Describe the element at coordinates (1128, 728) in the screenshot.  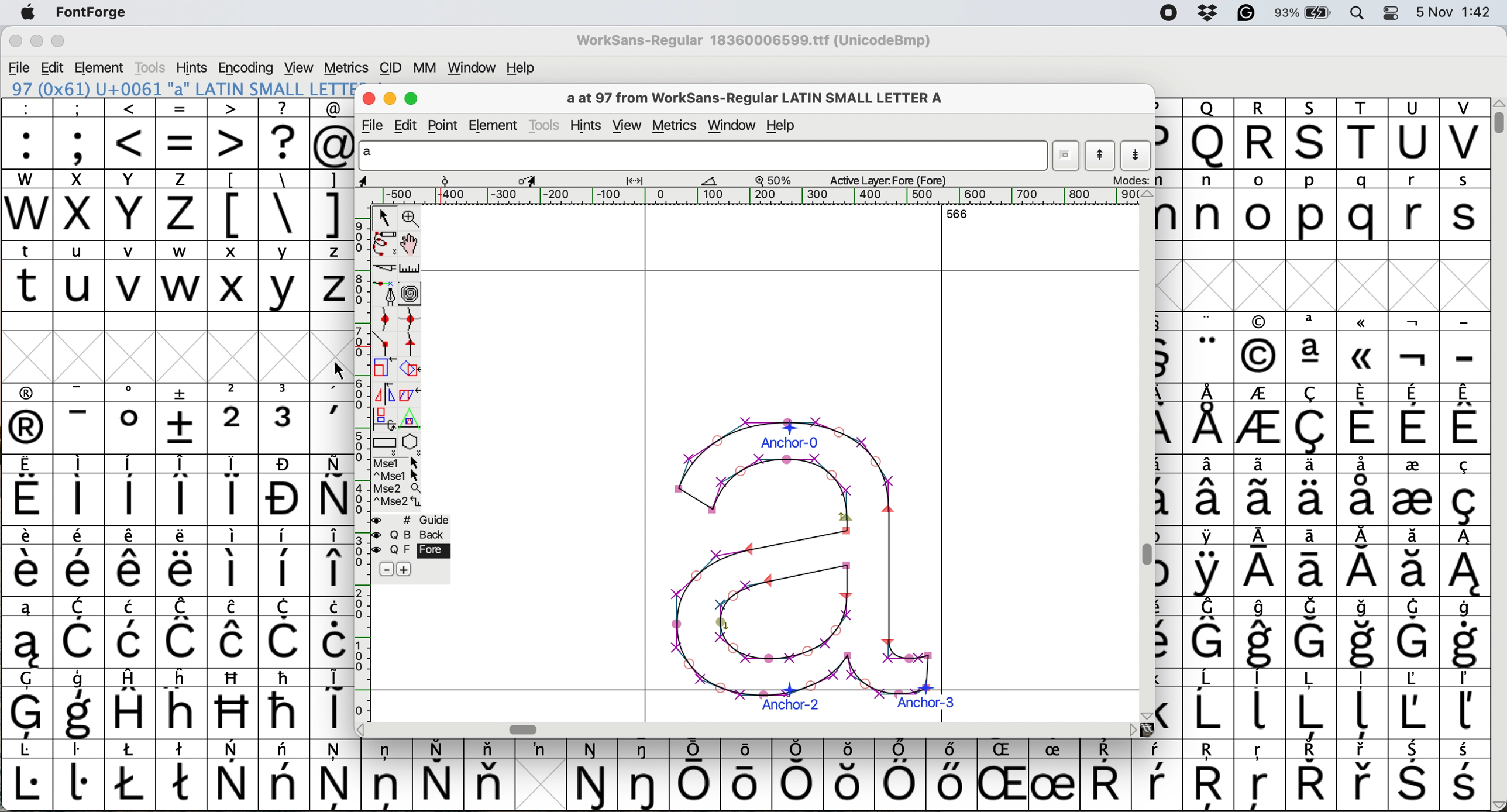
I see `scroll button` at that location.